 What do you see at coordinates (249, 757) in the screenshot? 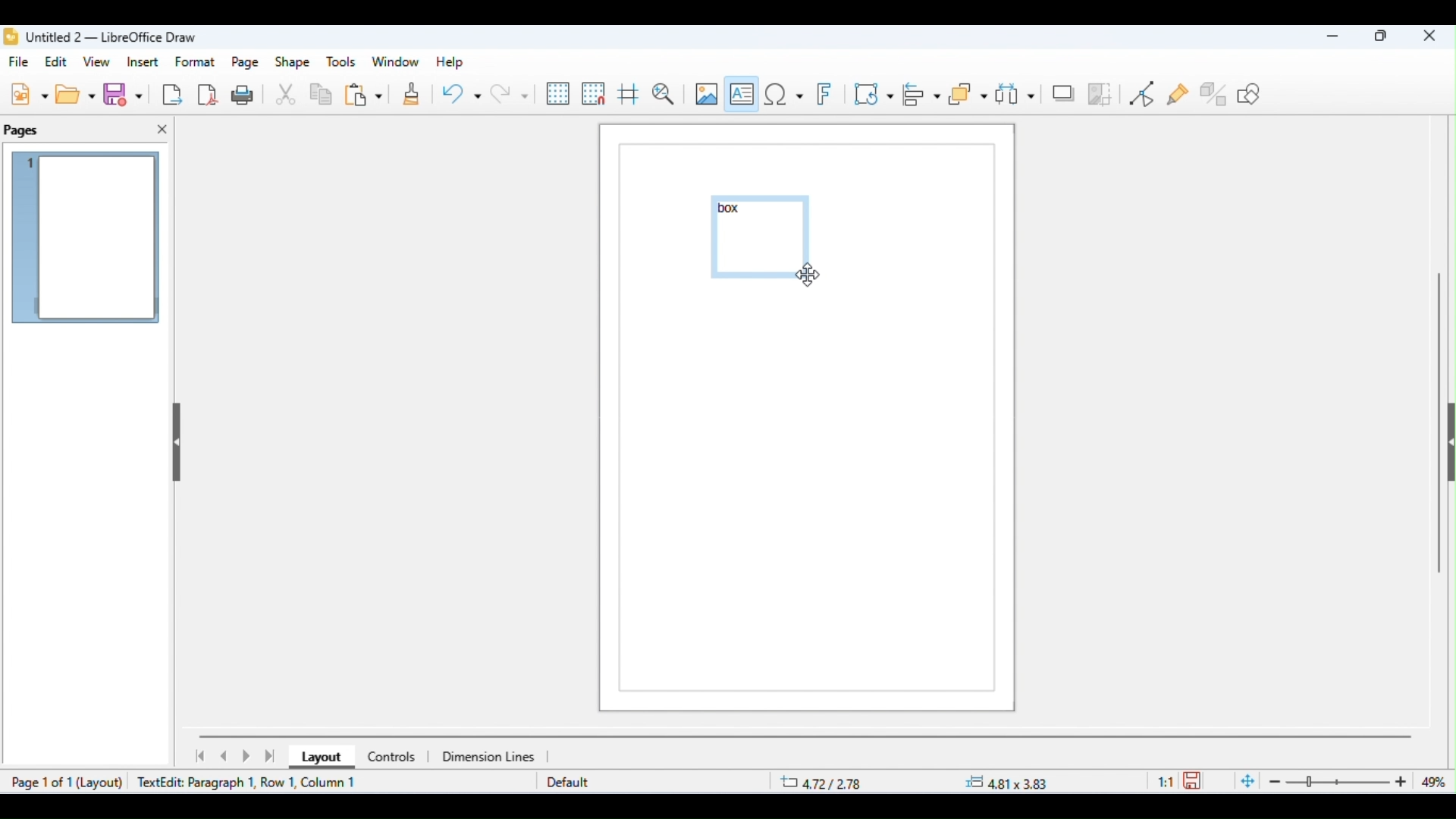
I see `next page` at bounding box center [249, 757].